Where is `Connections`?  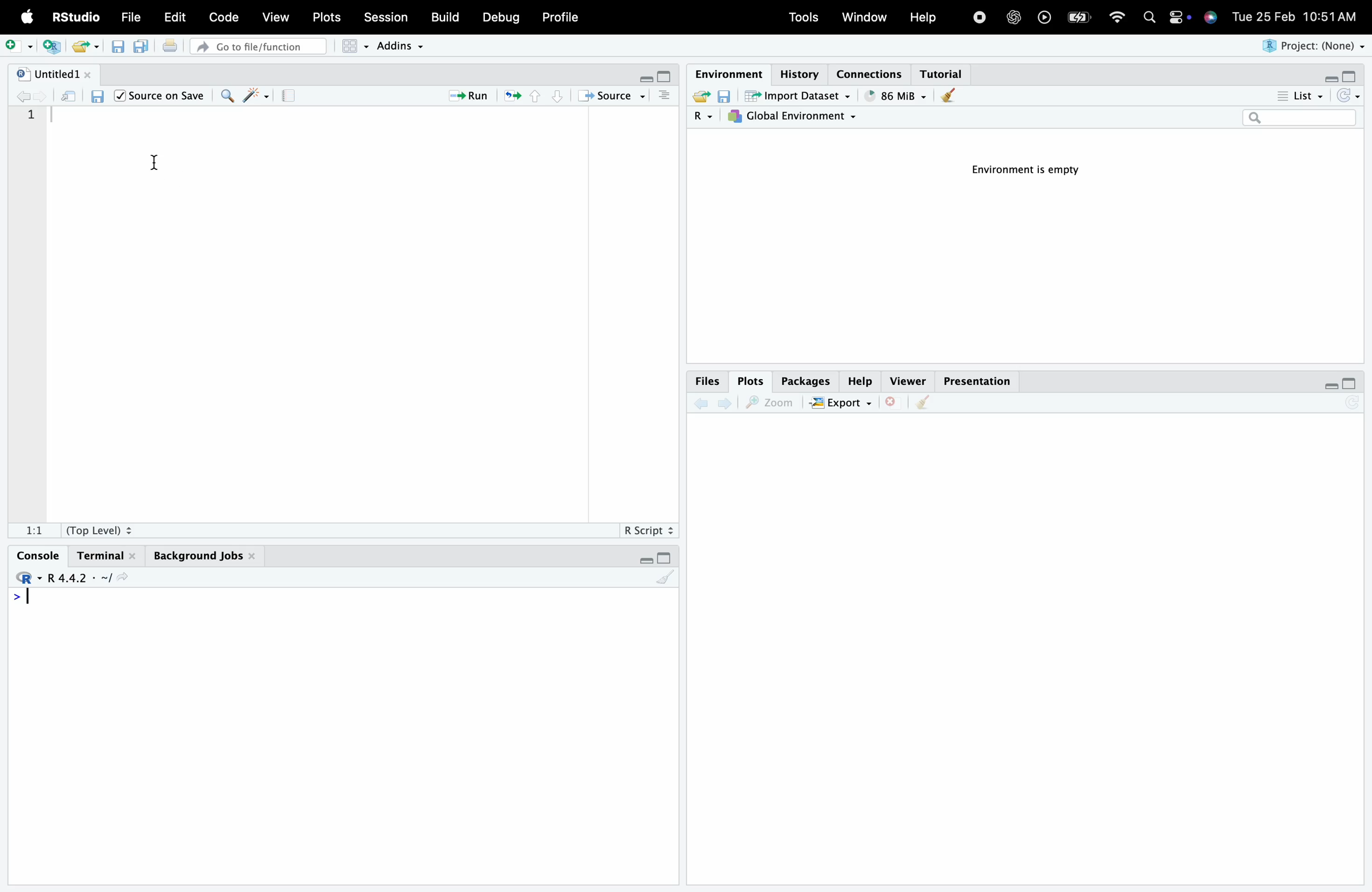
Connections is located at coordinates (872, 73).